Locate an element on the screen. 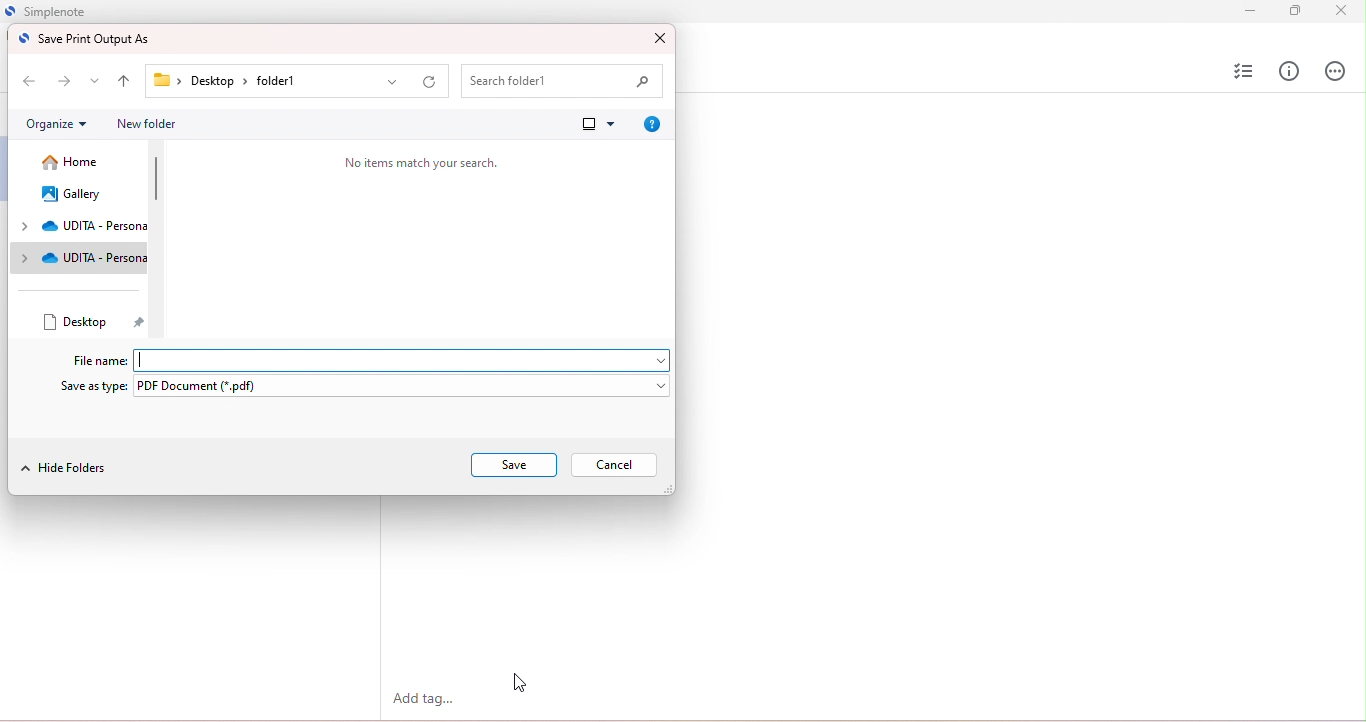 This screenshot has height=722, width=1366. search in current folder is located at coordinates (564, 82).